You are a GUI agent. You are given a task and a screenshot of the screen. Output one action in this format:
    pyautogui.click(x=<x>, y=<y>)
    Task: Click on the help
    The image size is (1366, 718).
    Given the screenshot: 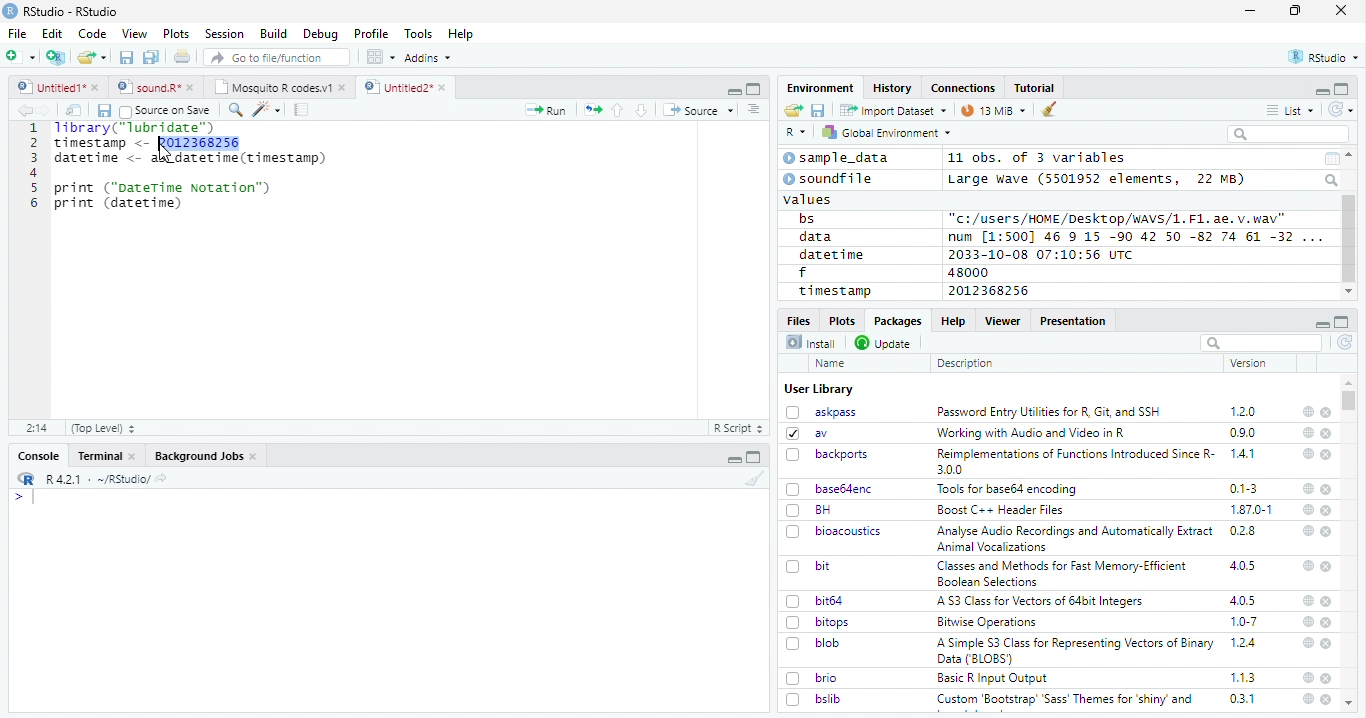 What is the action you would take?
    pyautogui.click(x=1308, y=432)
    